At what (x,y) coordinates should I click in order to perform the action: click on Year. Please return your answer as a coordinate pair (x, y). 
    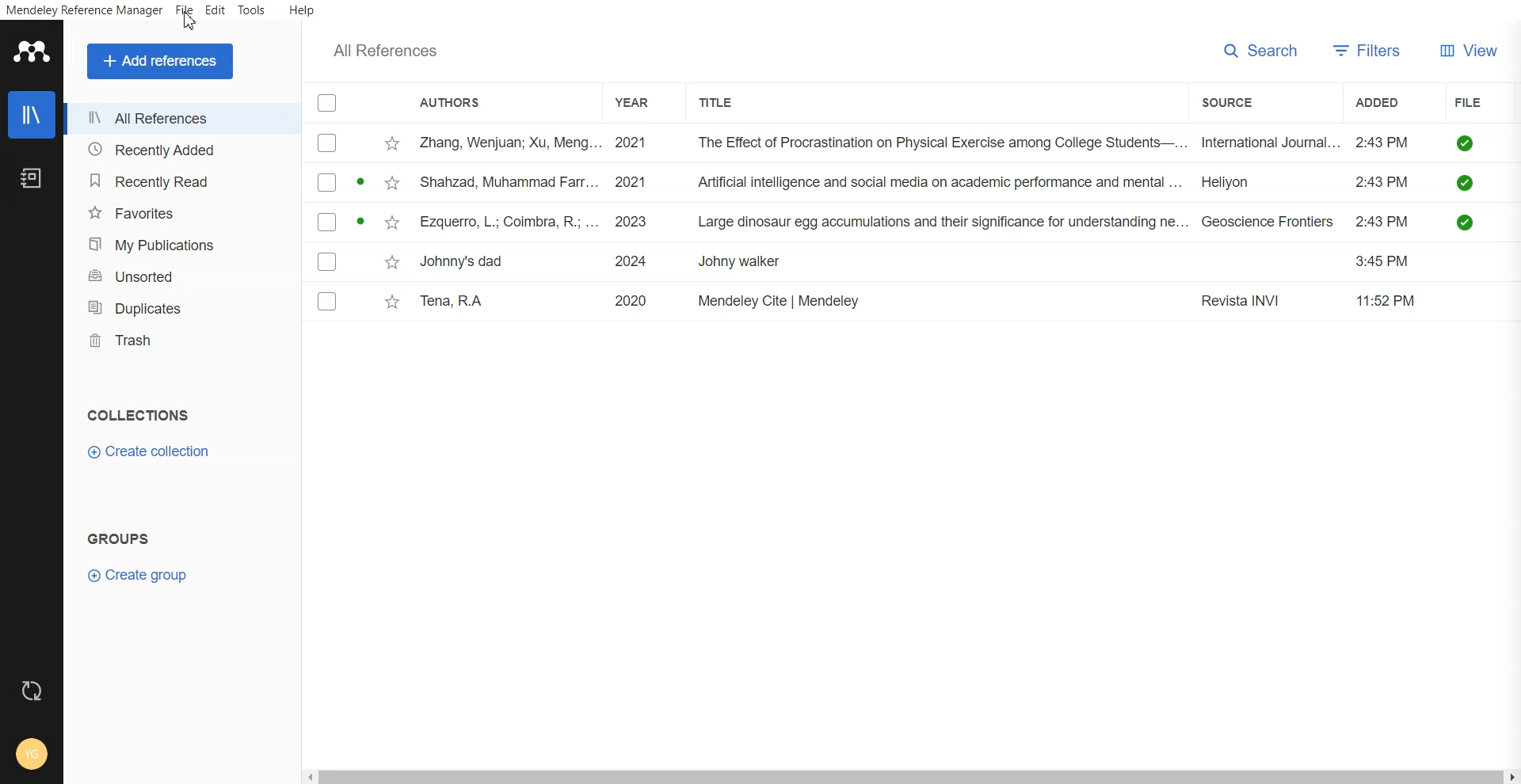
    Looking at the image, I should click on (638, 103).